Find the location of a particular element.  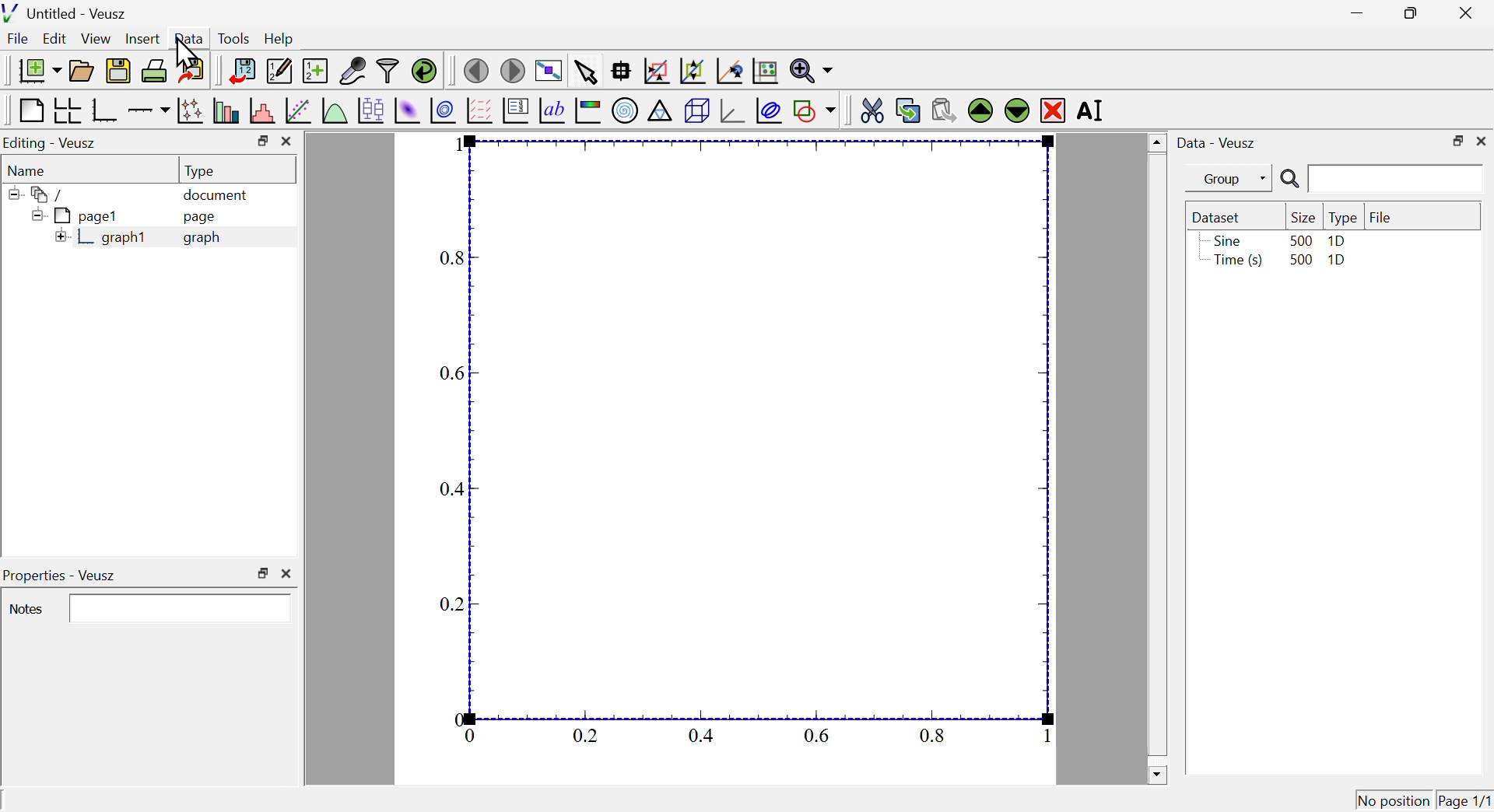

folder is located at coordinates (43, 194).